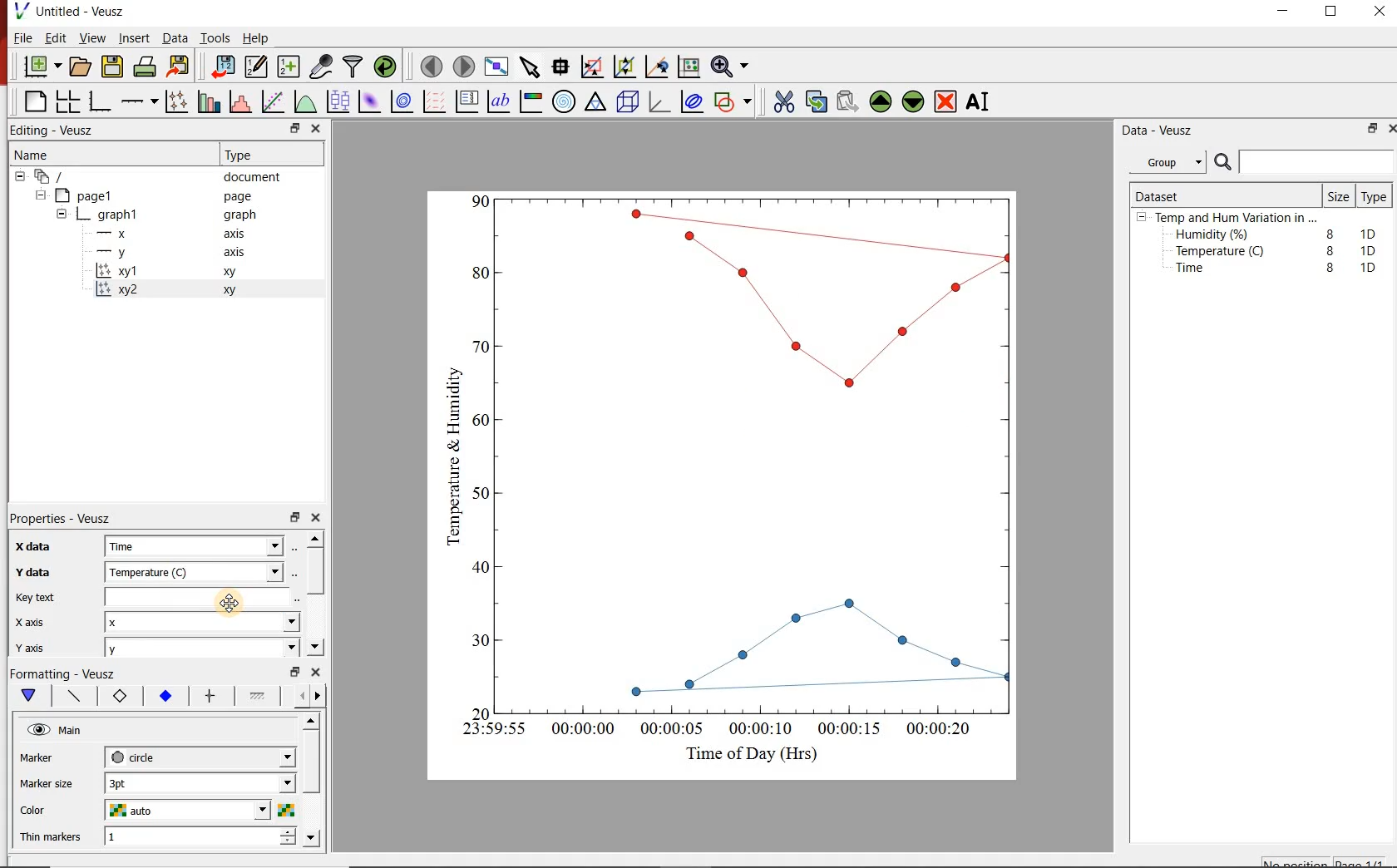 The width and height of the screenshot is (1397, 868). I want to click on click to recenter graph axes, so click(657, 67).